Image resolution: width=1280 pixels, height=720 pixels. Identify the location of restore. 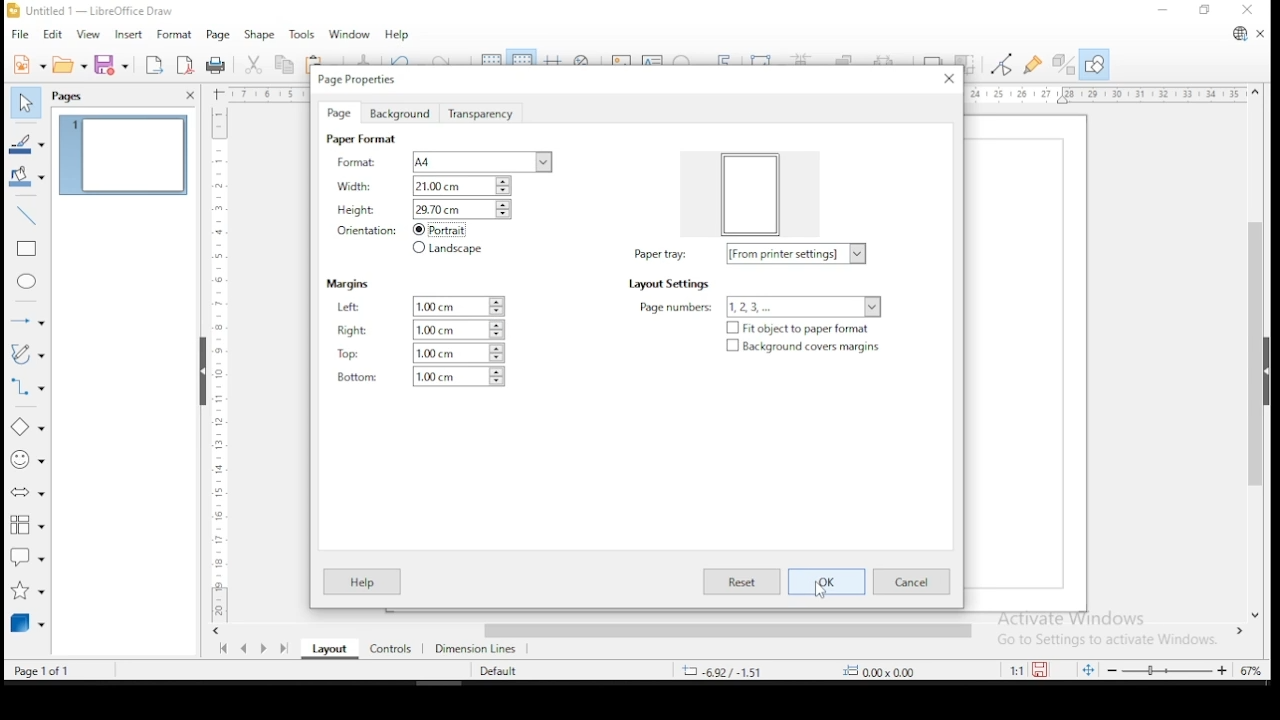
(1202, 11).